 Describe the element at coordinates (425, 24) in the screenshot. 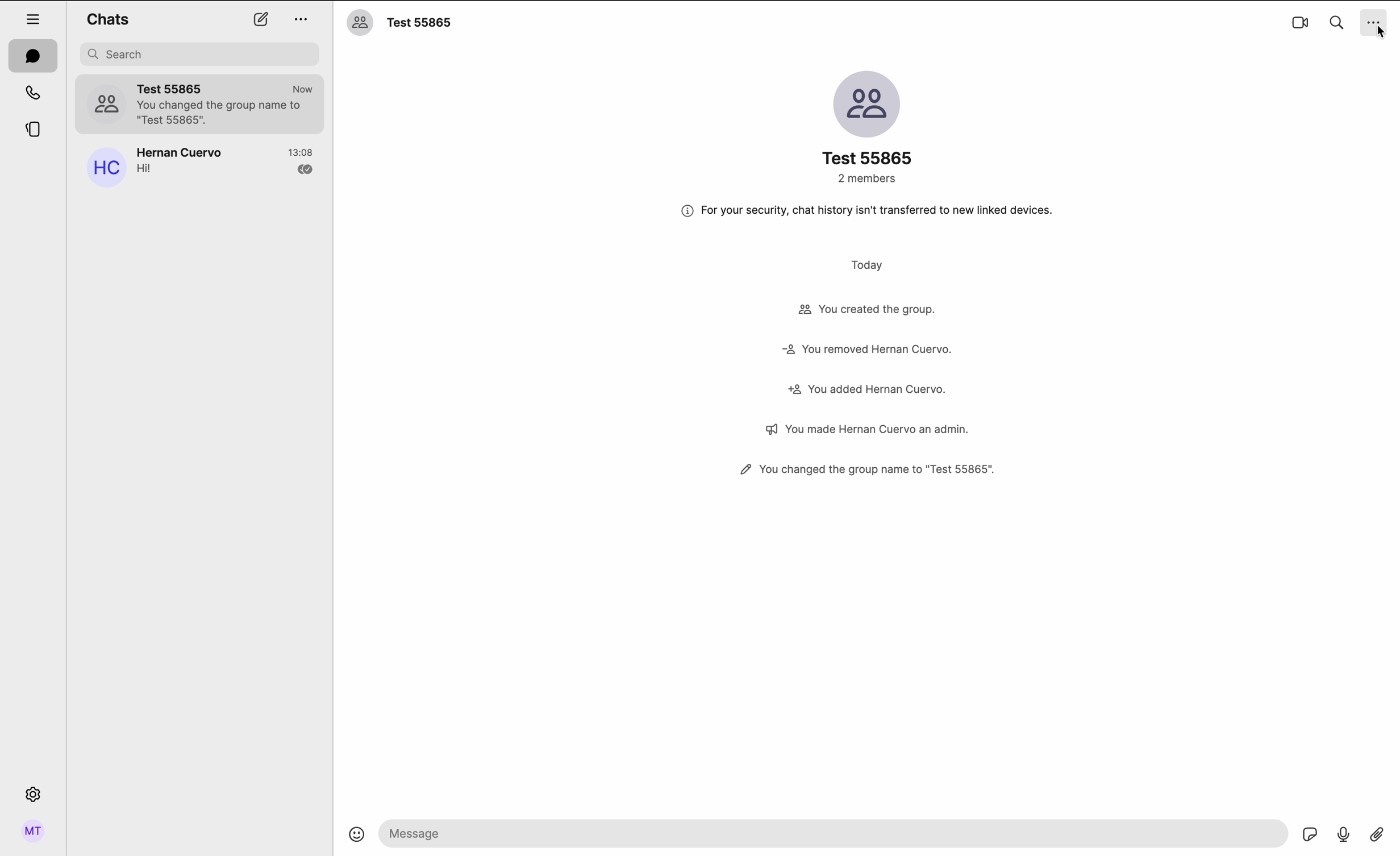

I see `name group` at that location.